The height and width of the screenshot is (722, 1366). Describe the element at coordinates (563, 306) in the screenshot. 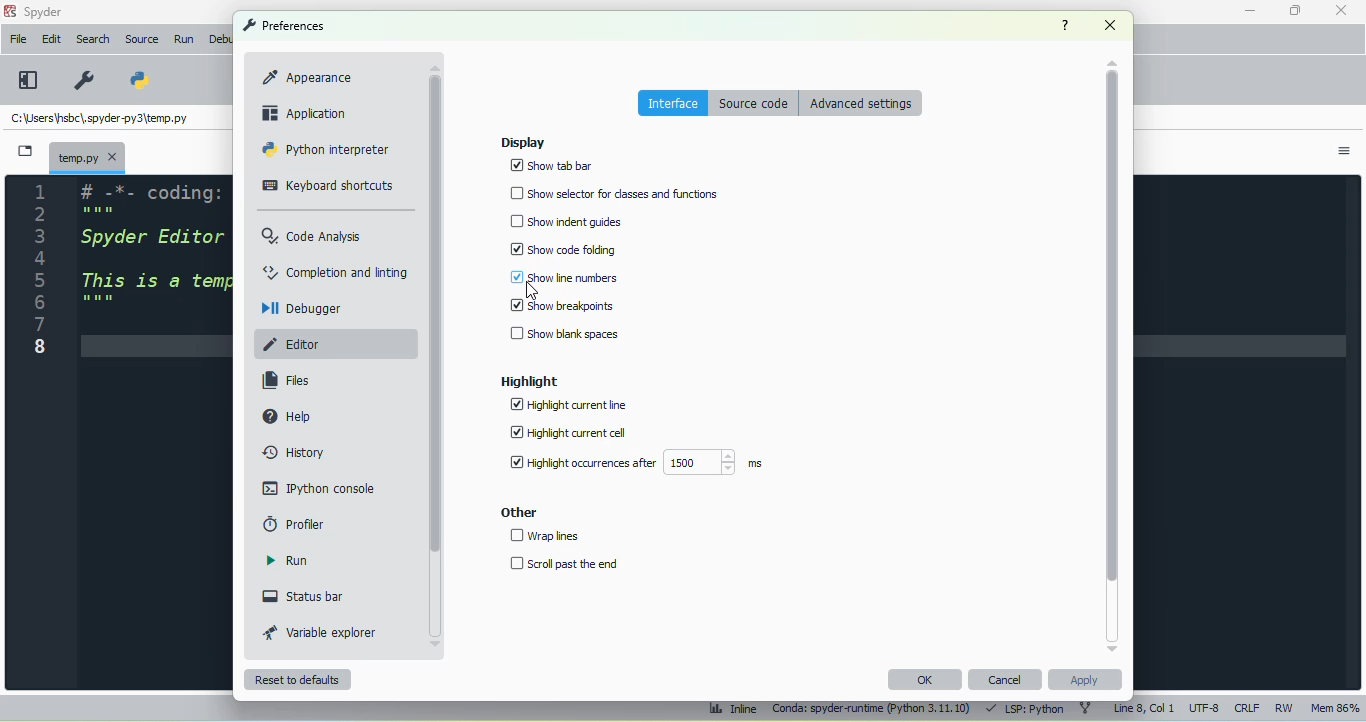

I see `show breakpoints` at that location.